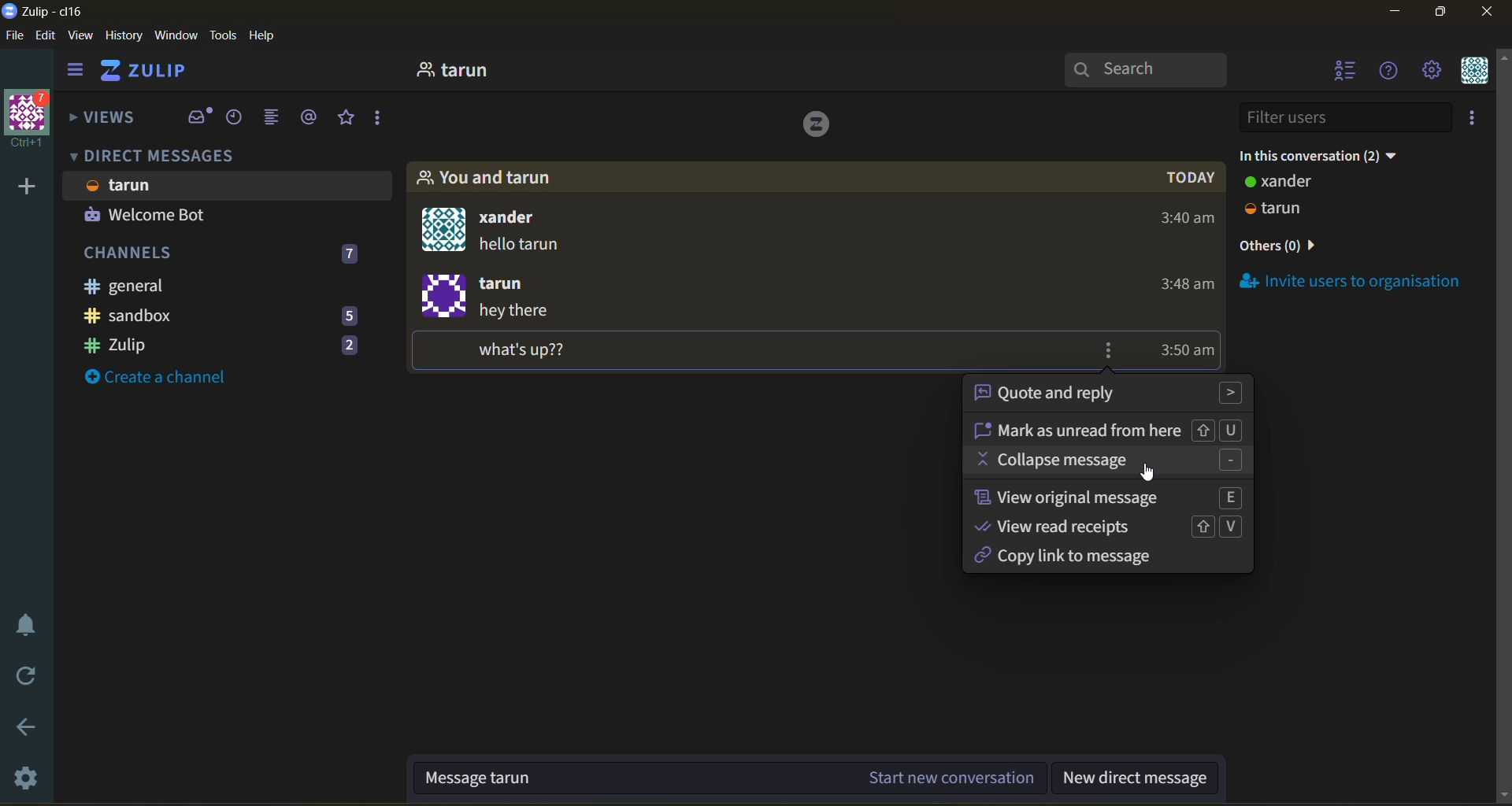 The height and width of the screenshot is (806, 1512). I want to click on view read receipts, so click(1118, 527).